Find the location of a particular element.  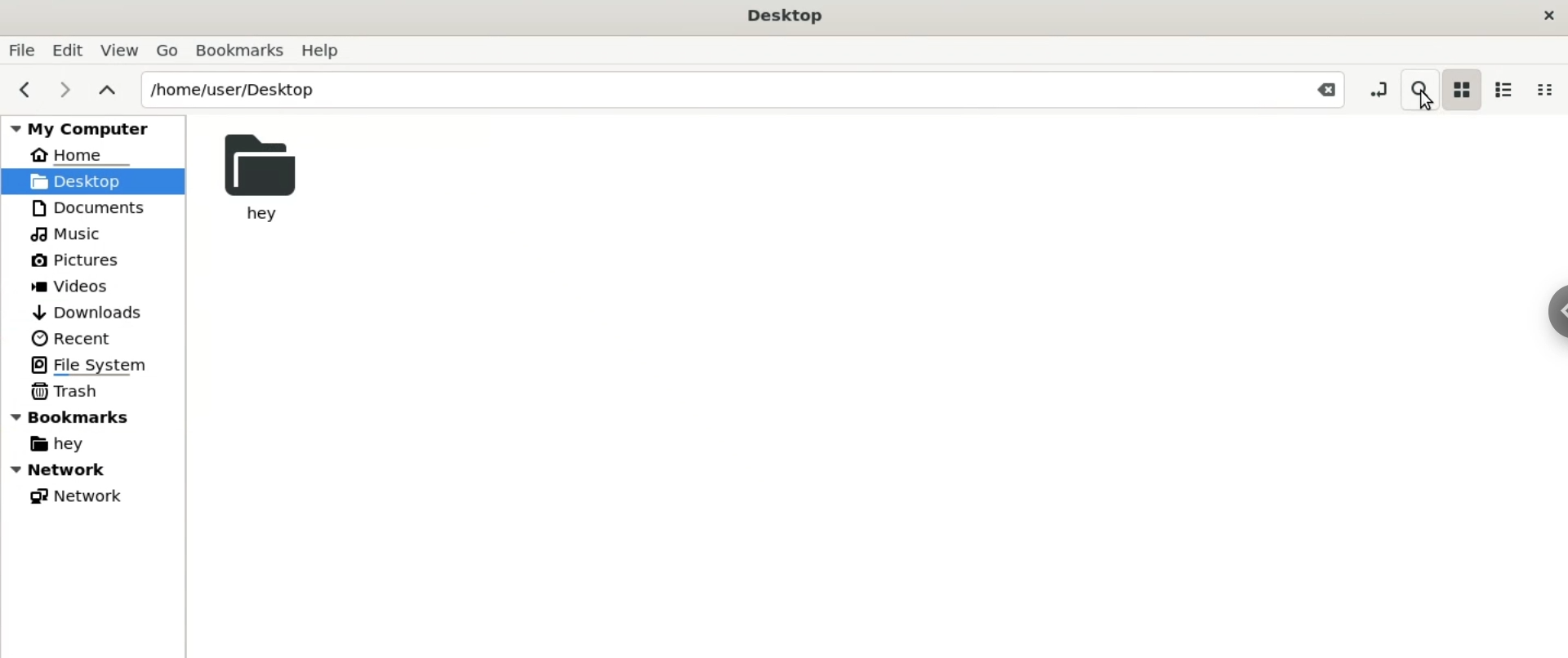

Go is located at coordinates (165, 48).